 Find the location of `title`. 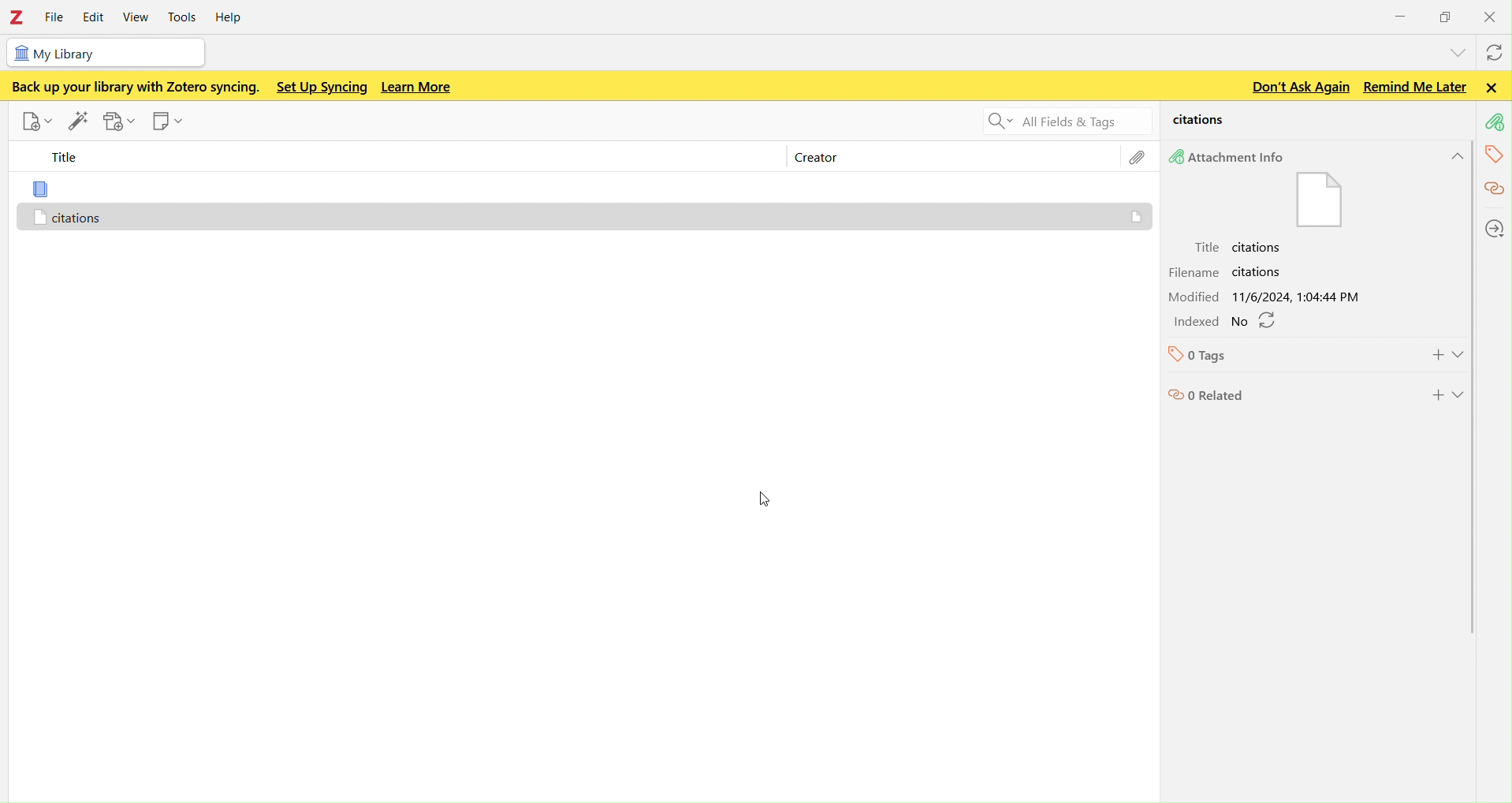

title is located at coordinates (71, 159).